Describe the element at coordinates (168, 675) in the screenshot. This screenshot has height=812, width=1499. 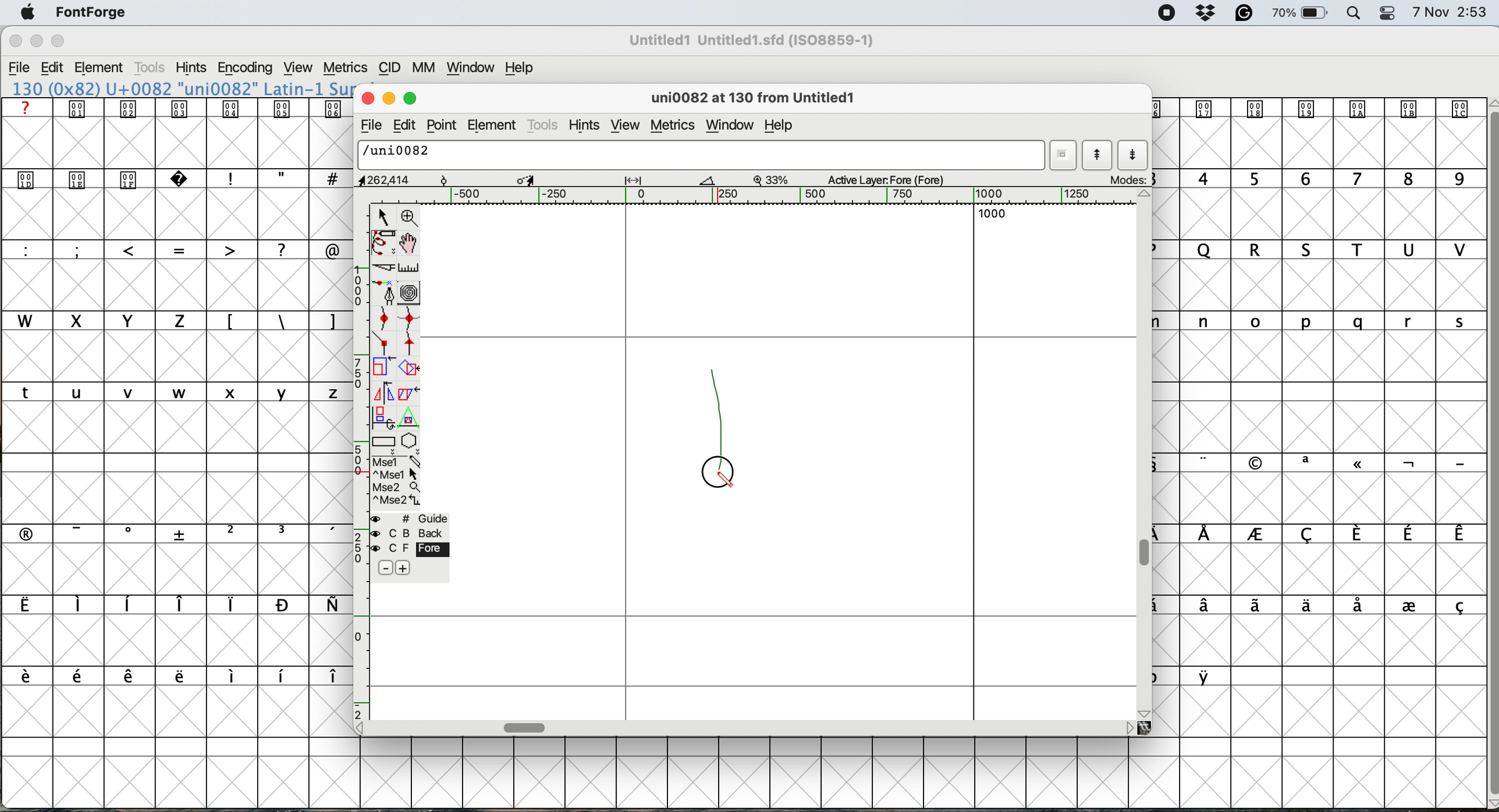
I see `special characters` at that location.